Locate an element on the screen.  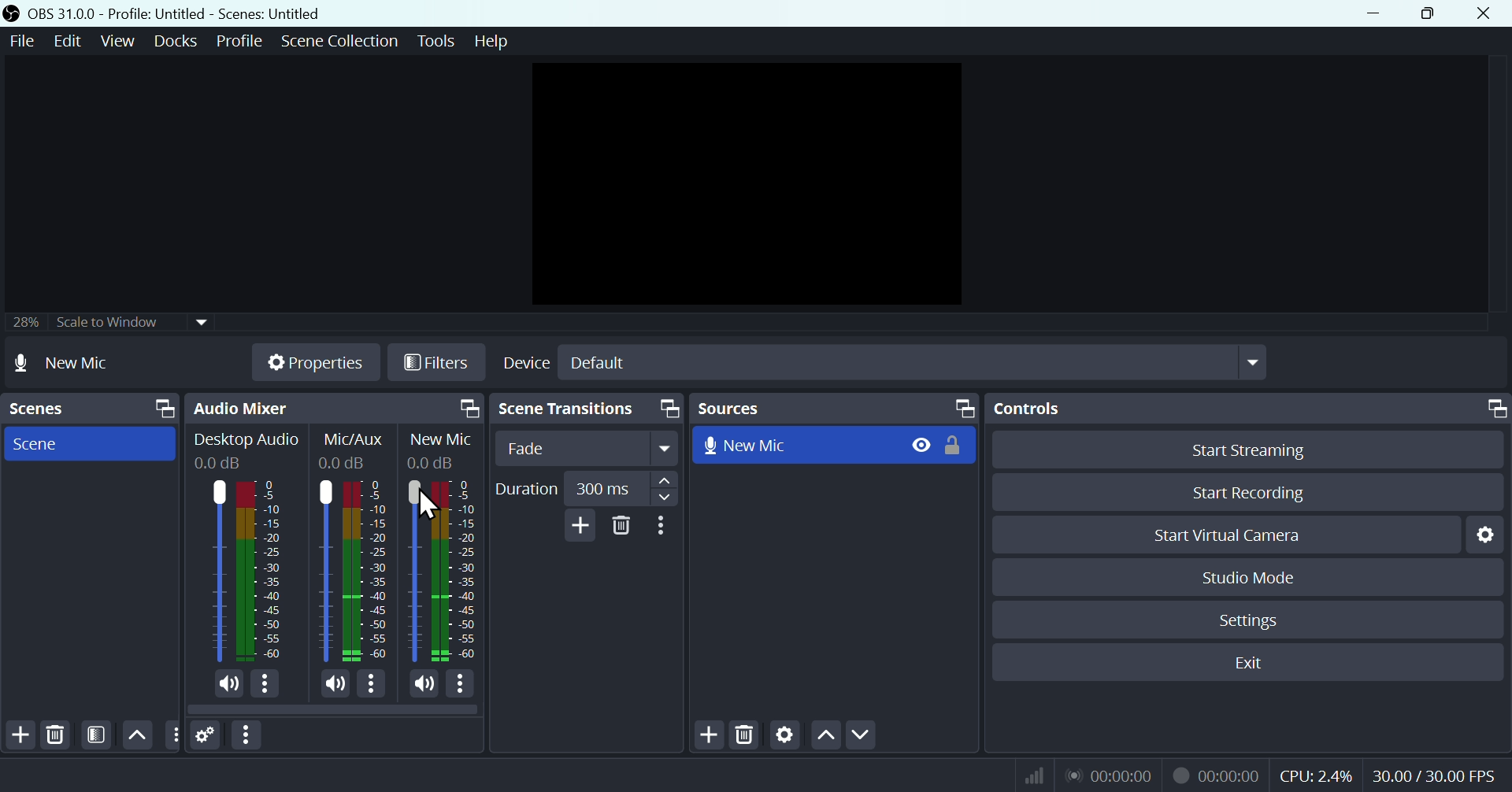
Edit is located at coordinates (65, 41).